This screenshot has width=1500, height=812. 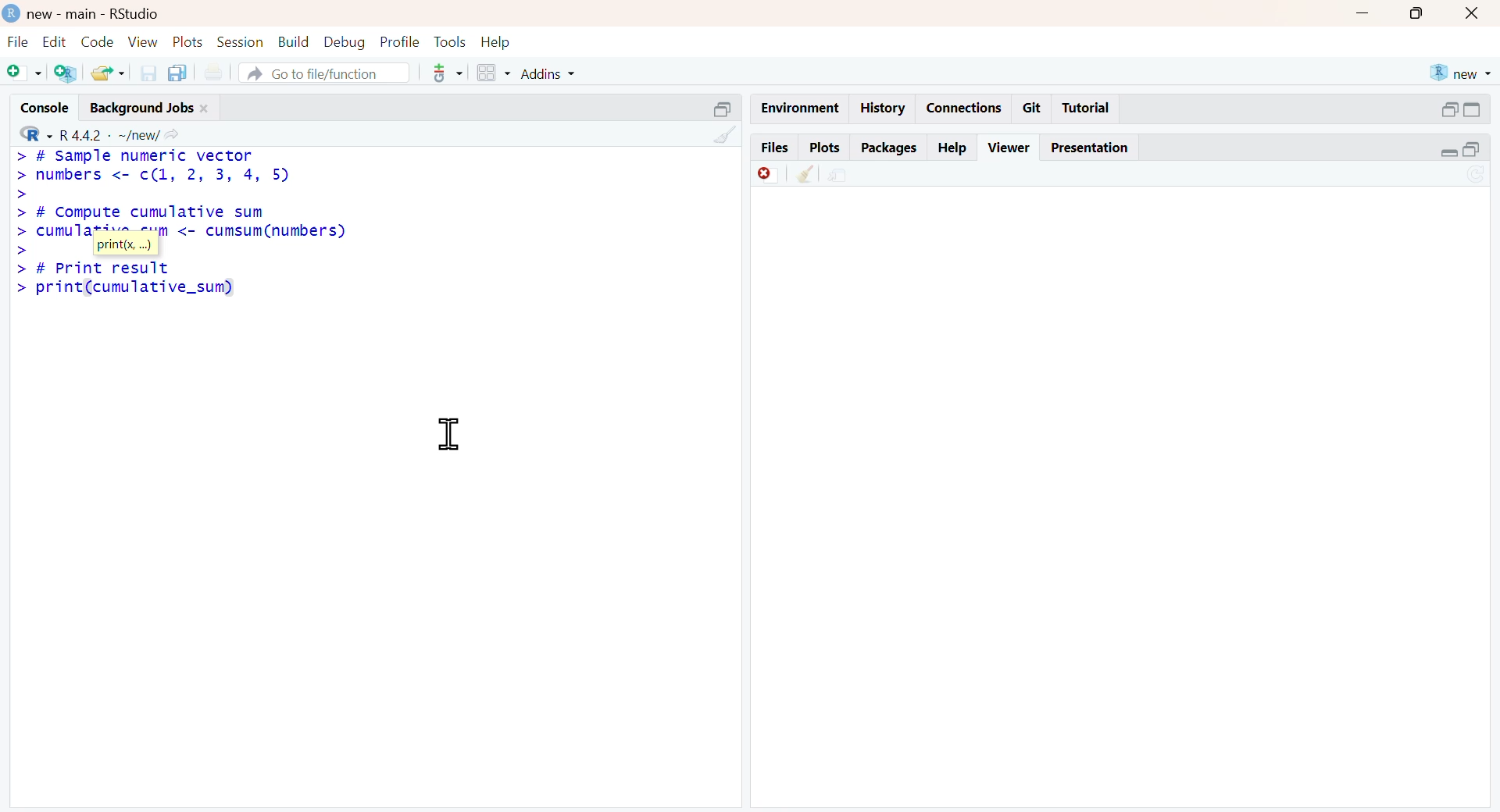 What do you see at coordinates (1418, 13) in the screenshot?
I see `maximize` at bounding box center [1418, 13].